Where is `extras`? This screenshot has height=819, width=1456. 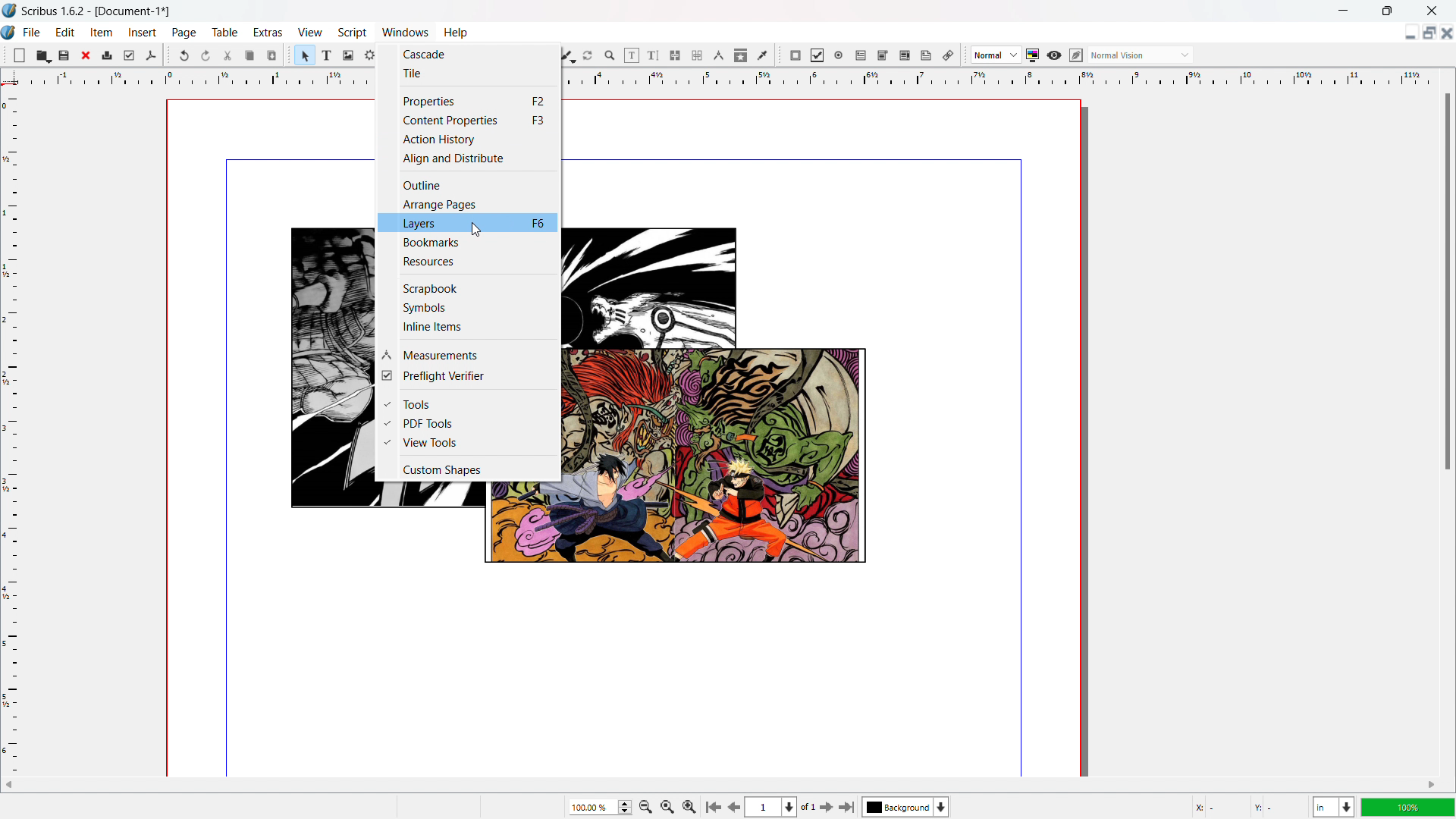 extras is located at coordinates (268, 32).